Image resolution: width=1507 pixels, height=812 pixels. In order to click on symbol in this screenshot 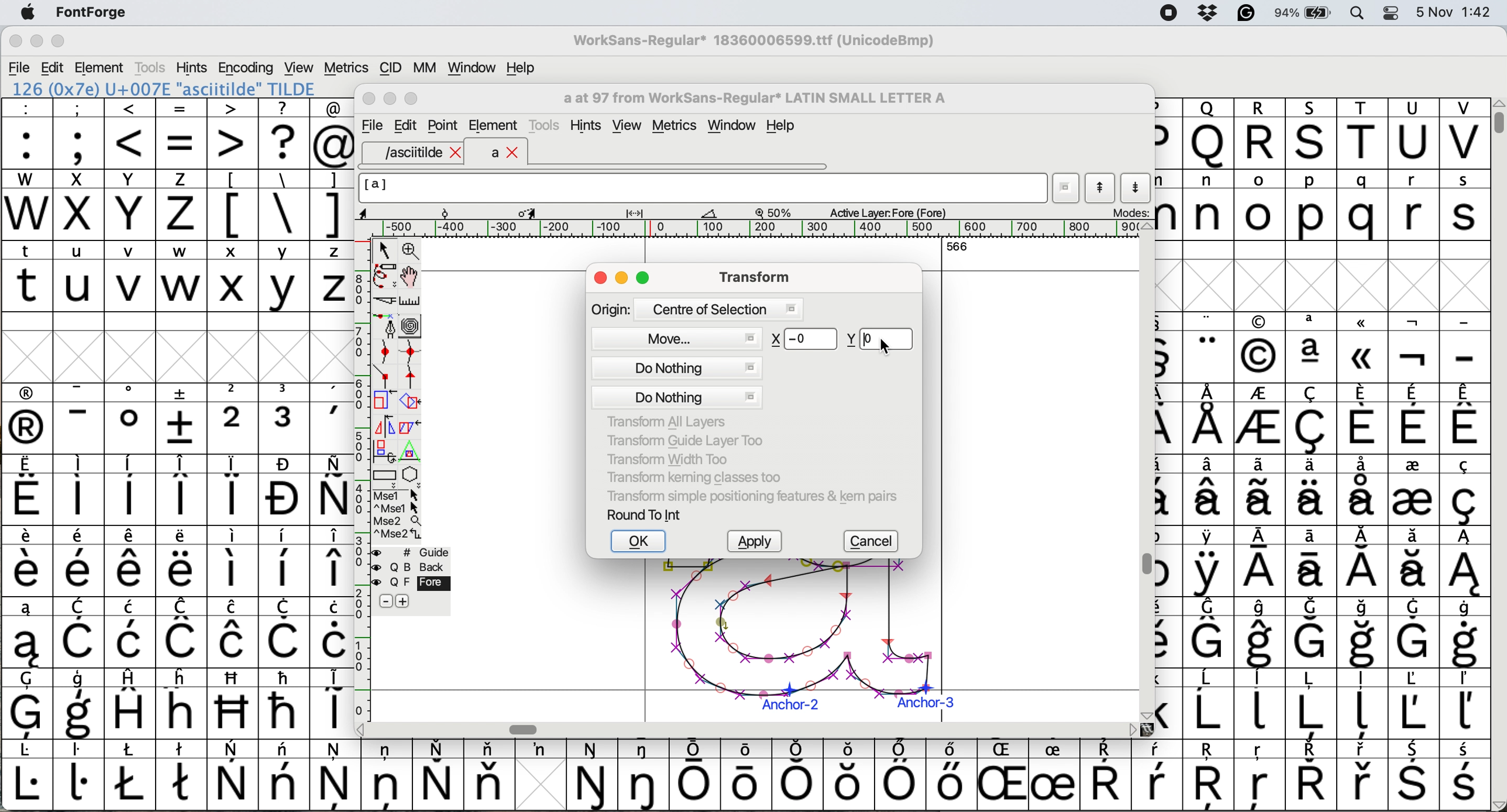, I will do `click(749, 773)`.